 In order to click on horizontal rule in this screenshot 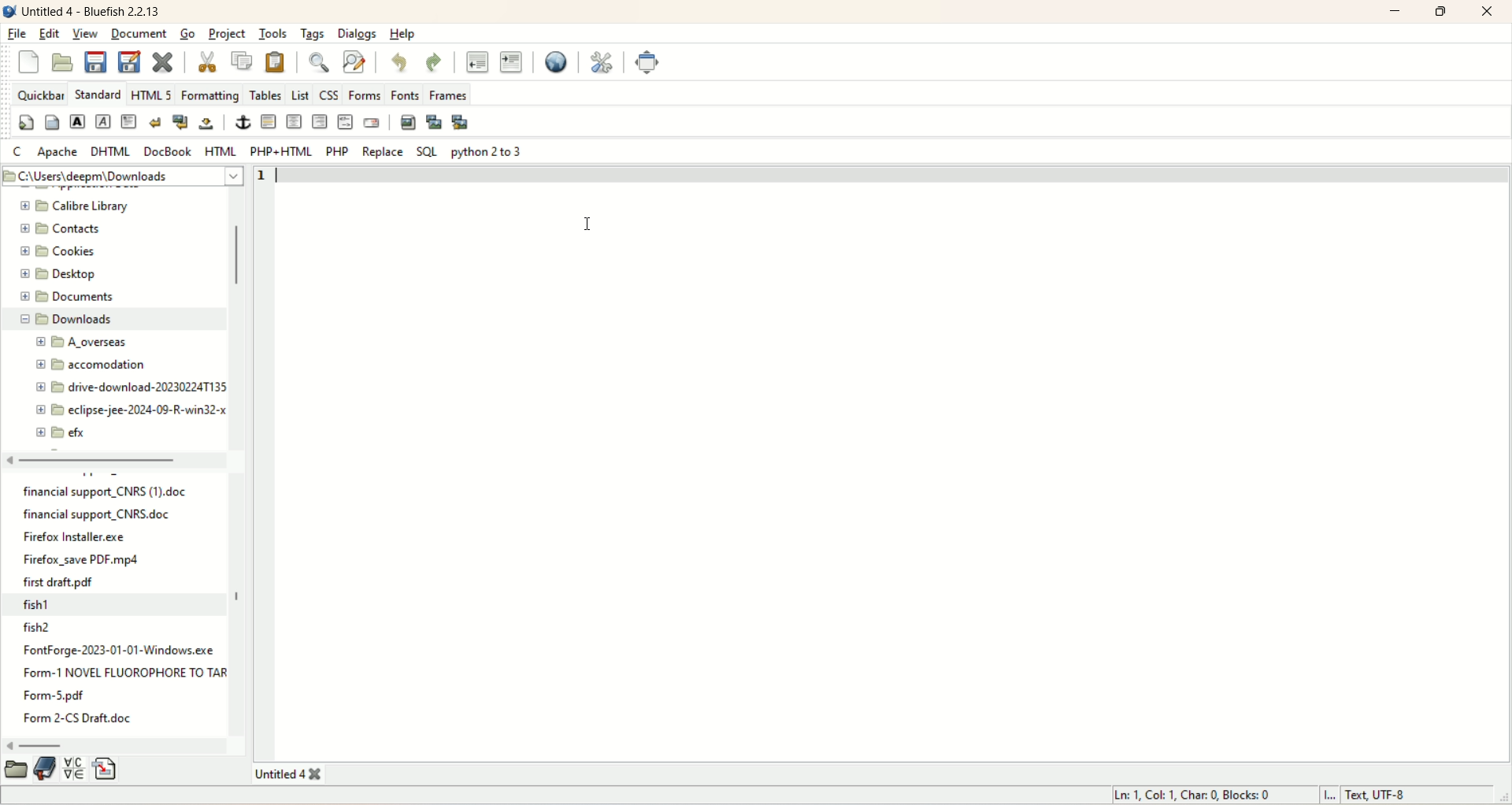, I will do `click(267, 122)`.